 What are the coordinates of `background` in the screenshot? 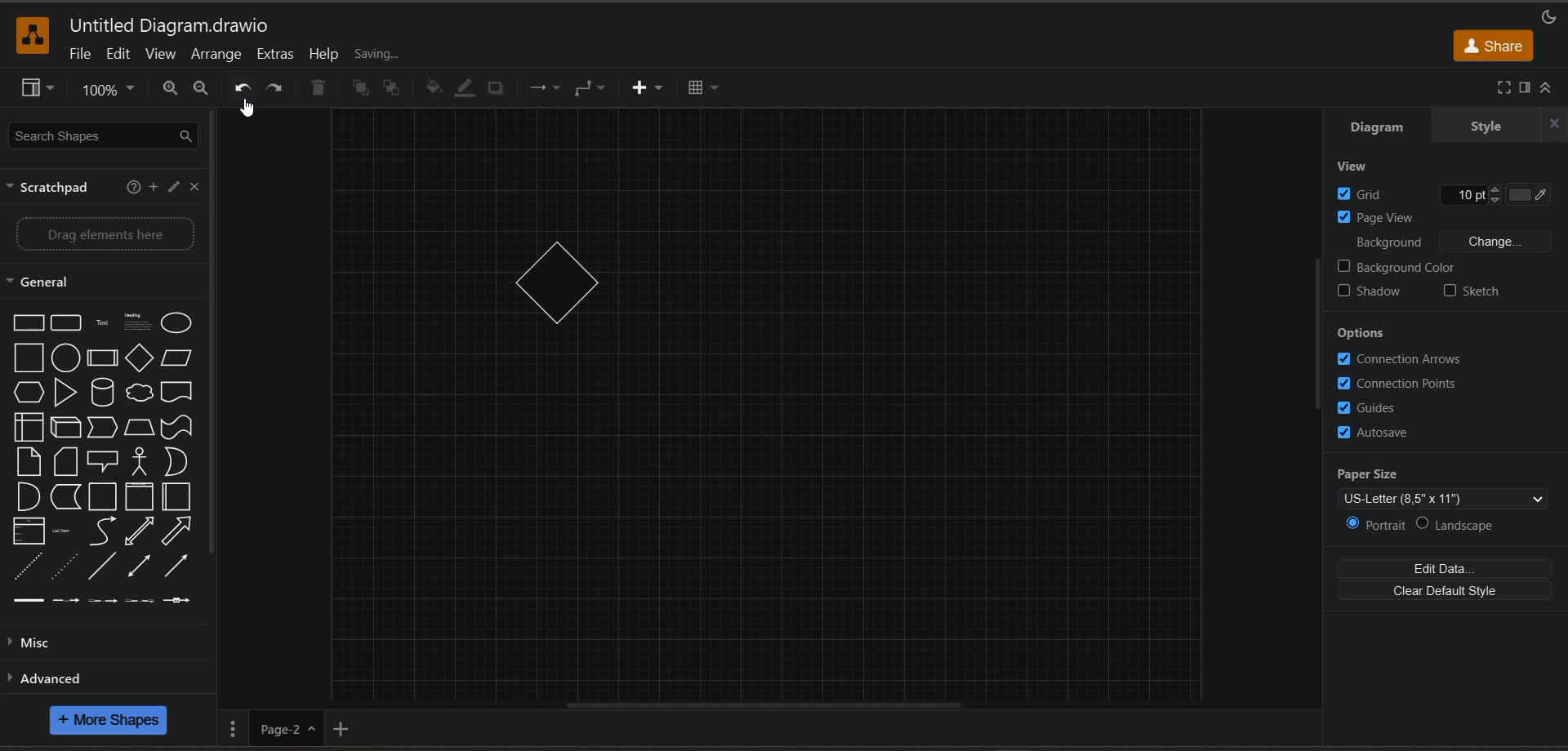 It's located at (1441, 242).